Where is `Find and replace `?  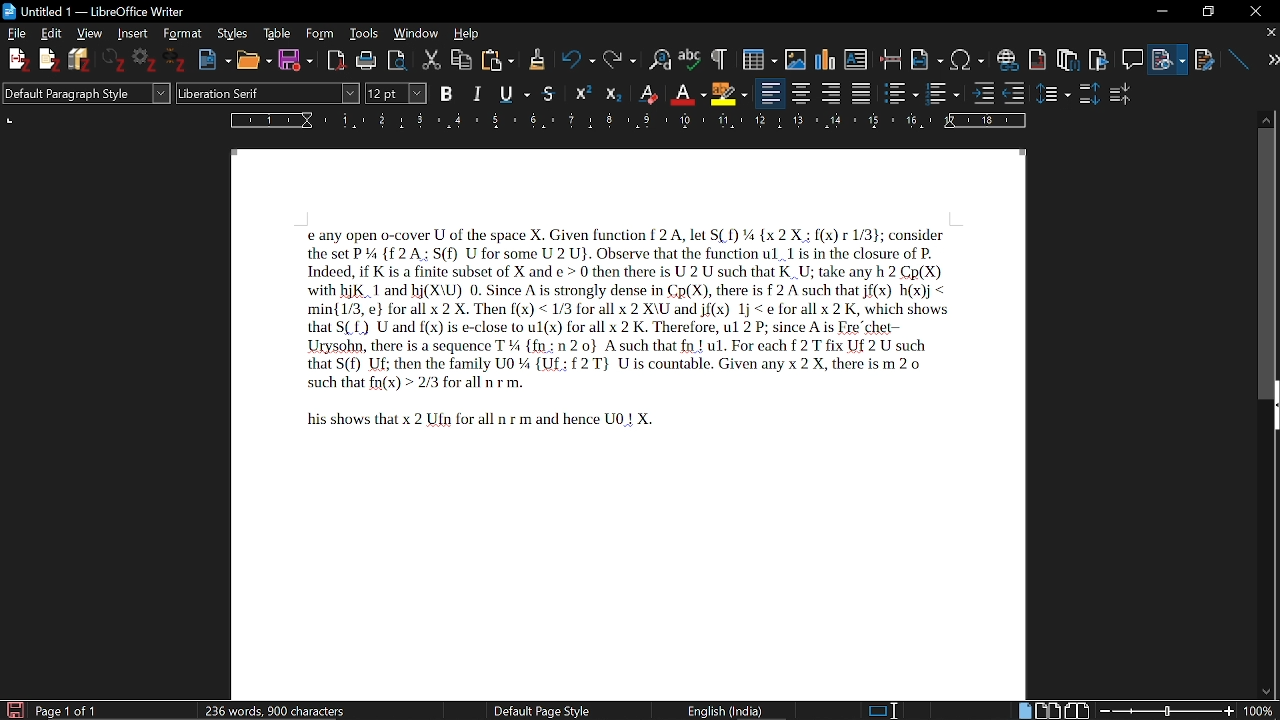
Find and replace  is located at coordinates (657, 58).